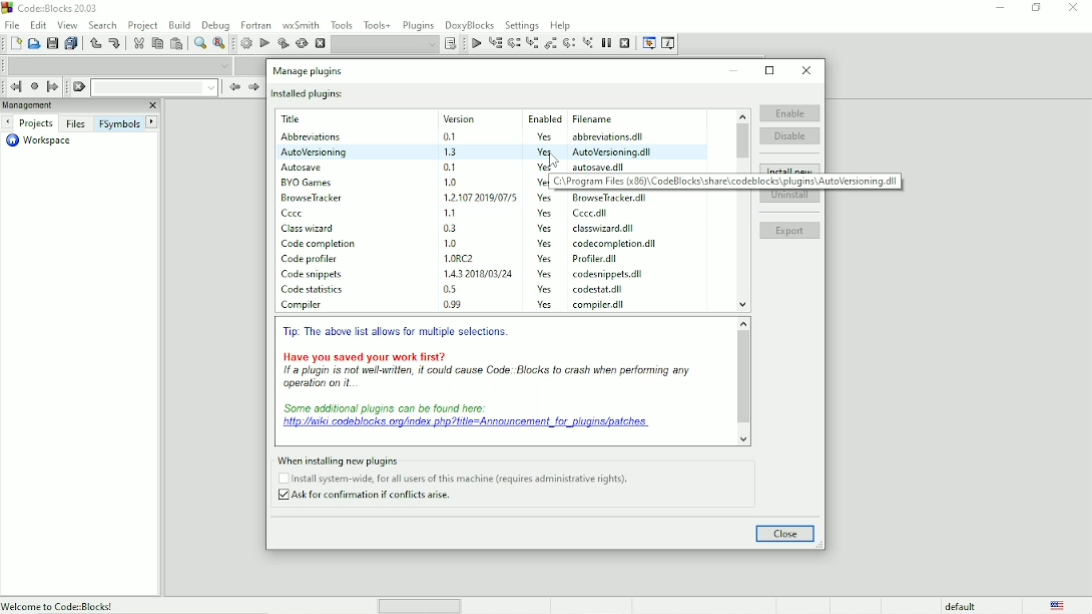  What do you see at coordinates (446, 459) in the screenshot?
I see `When installing new plugins` at bounding box center [446, 459].